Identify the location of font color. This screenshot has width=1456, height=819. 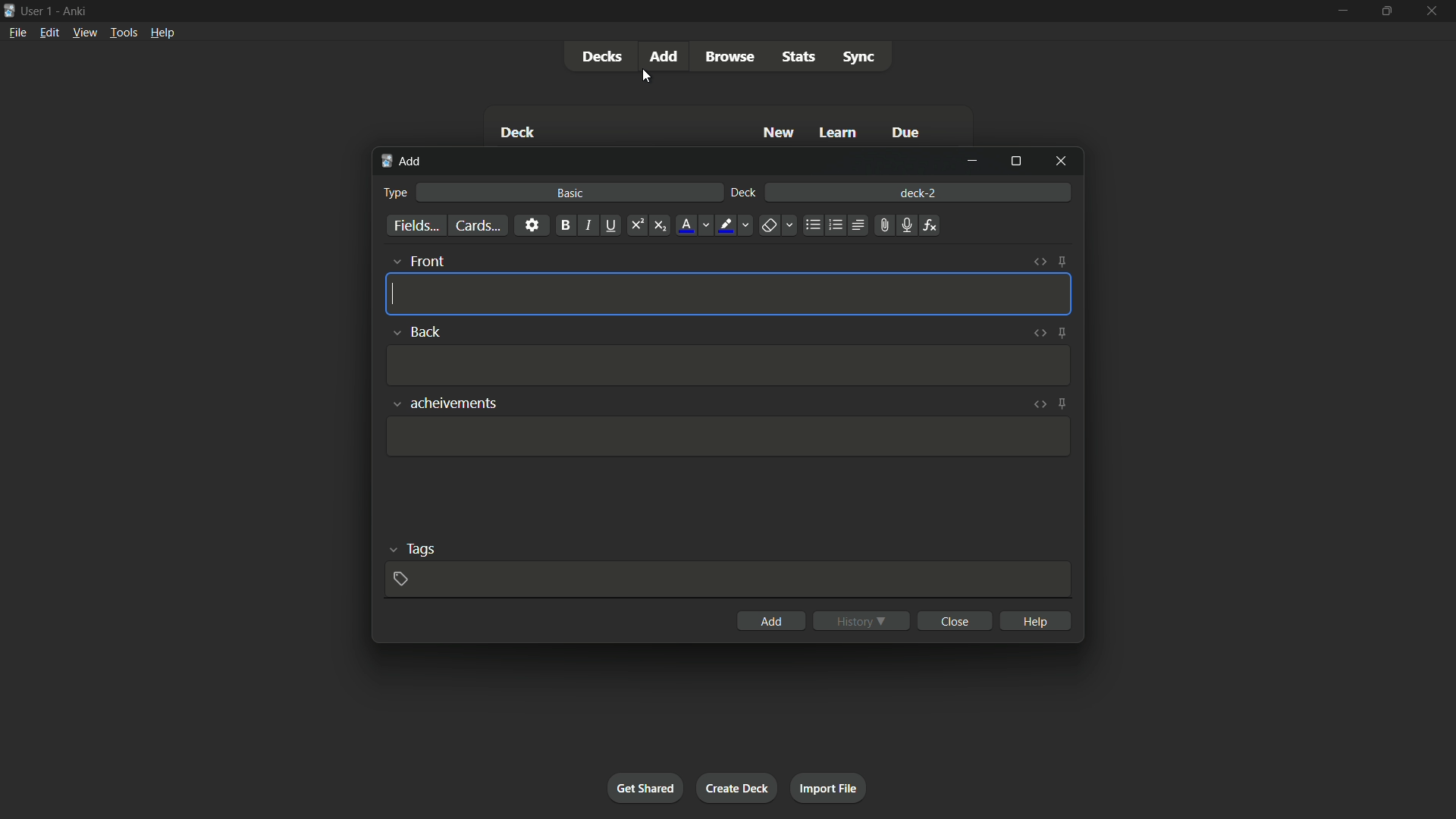
(695, 226).